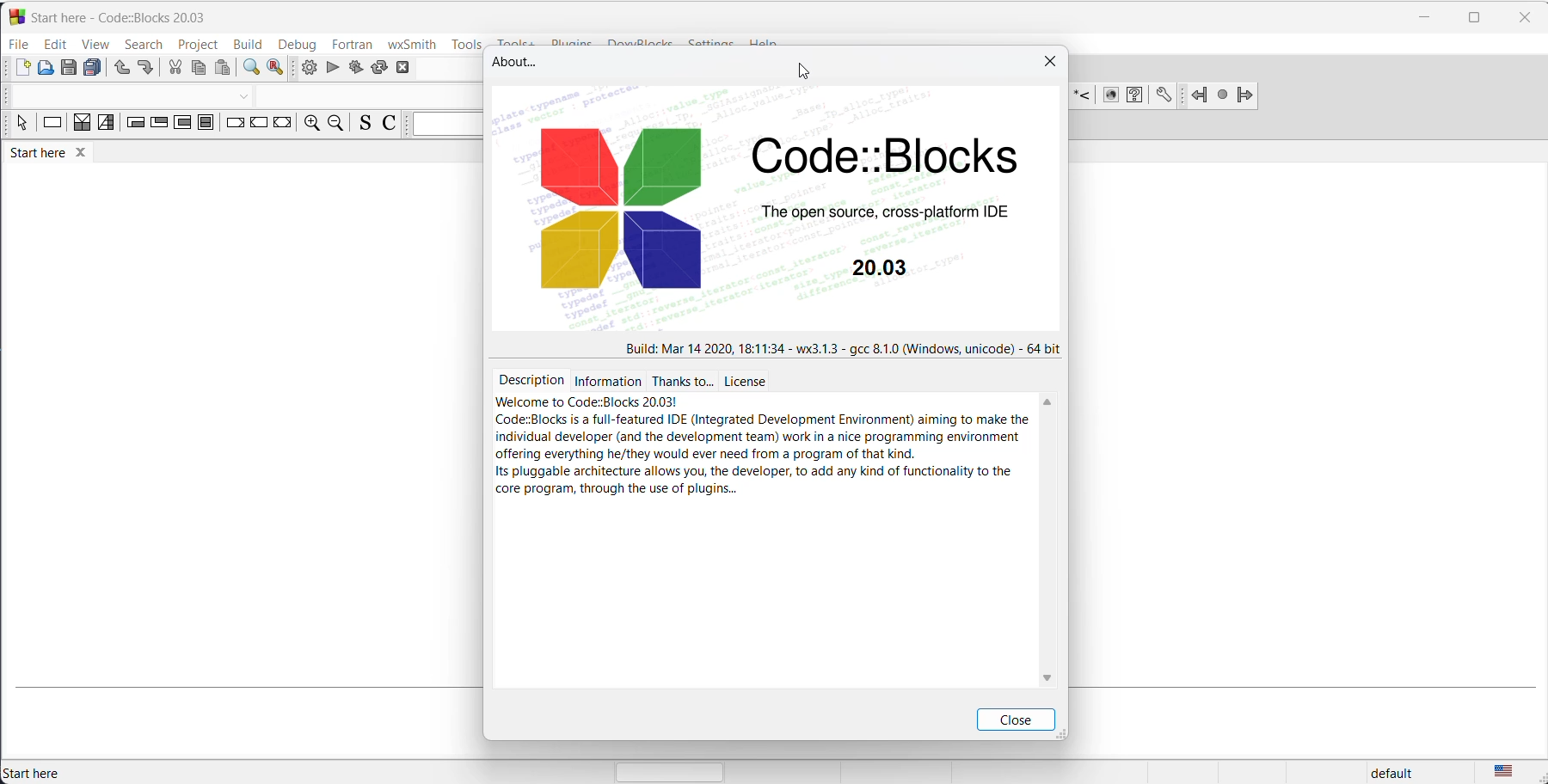  Describe the element at coordinates (389, 125) in the screenshot. I see `toggle comments ` at that location.